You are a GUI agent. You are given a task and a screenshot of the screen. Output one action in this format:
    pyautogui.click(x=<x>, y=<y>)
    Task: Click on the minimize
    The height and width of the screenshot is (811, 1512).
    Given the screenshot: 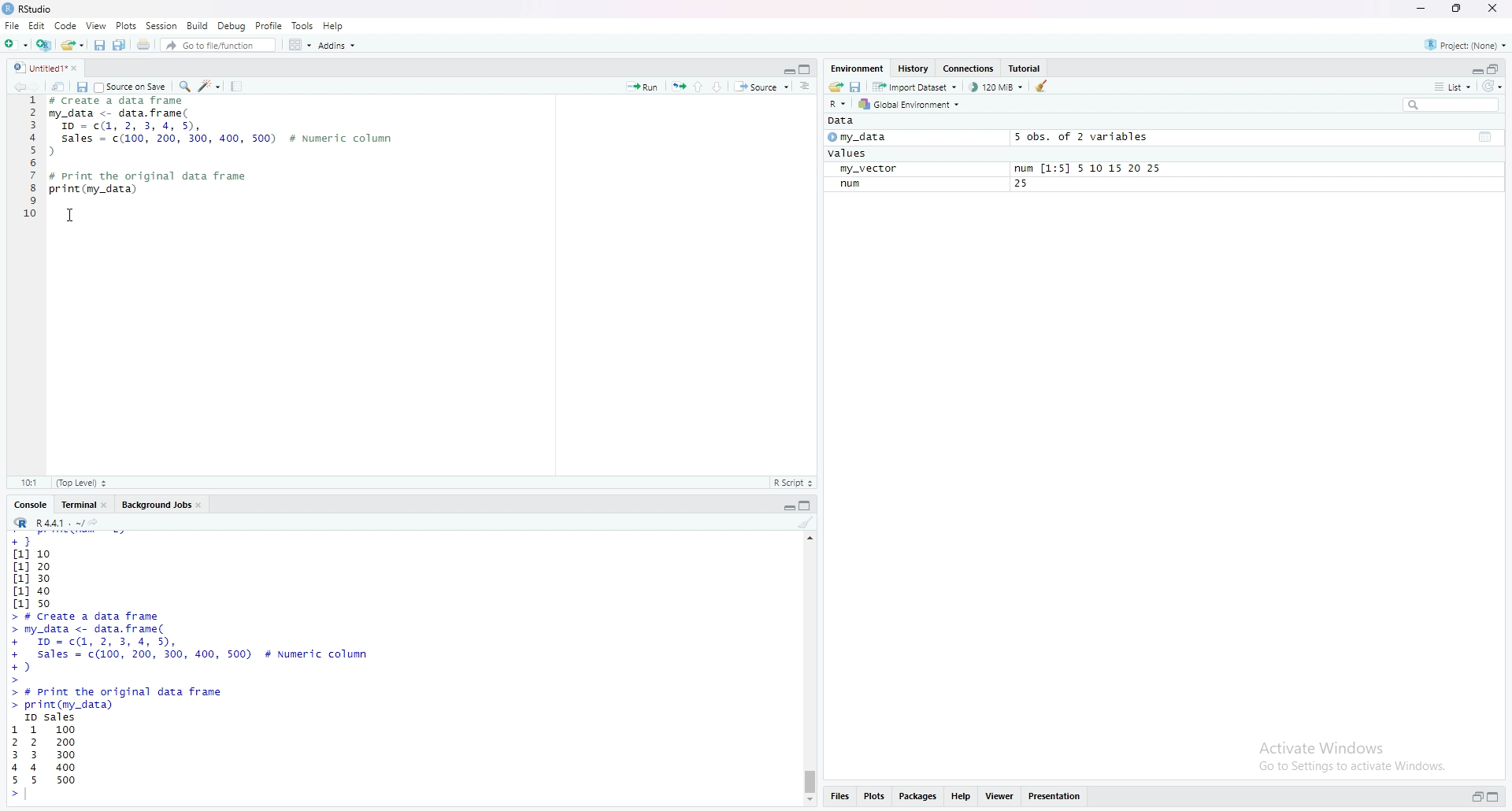 What is the action you would take?
    pyautogui.click(x=1424, y=10)
    